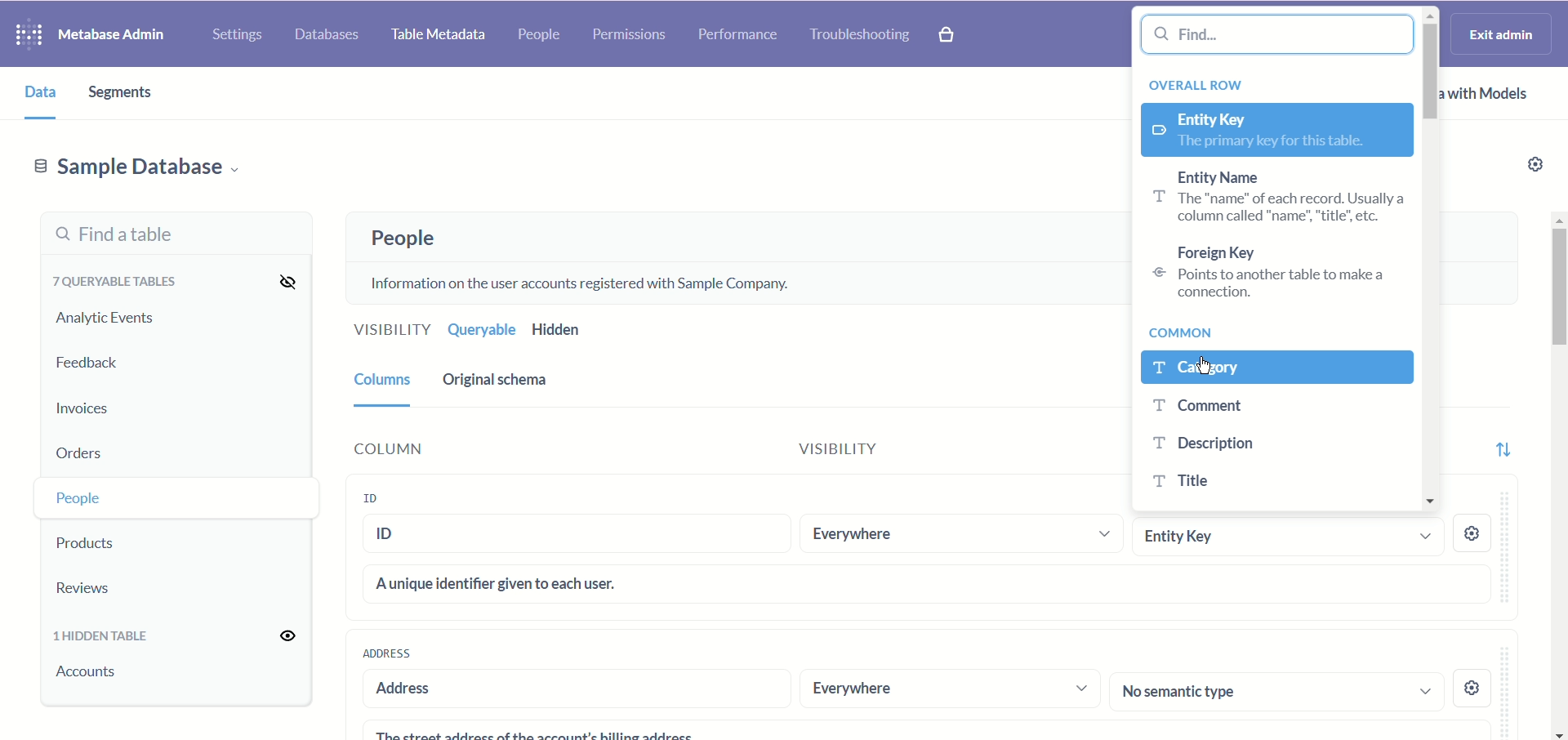  I want to click on Unhide, so click(278, 636).